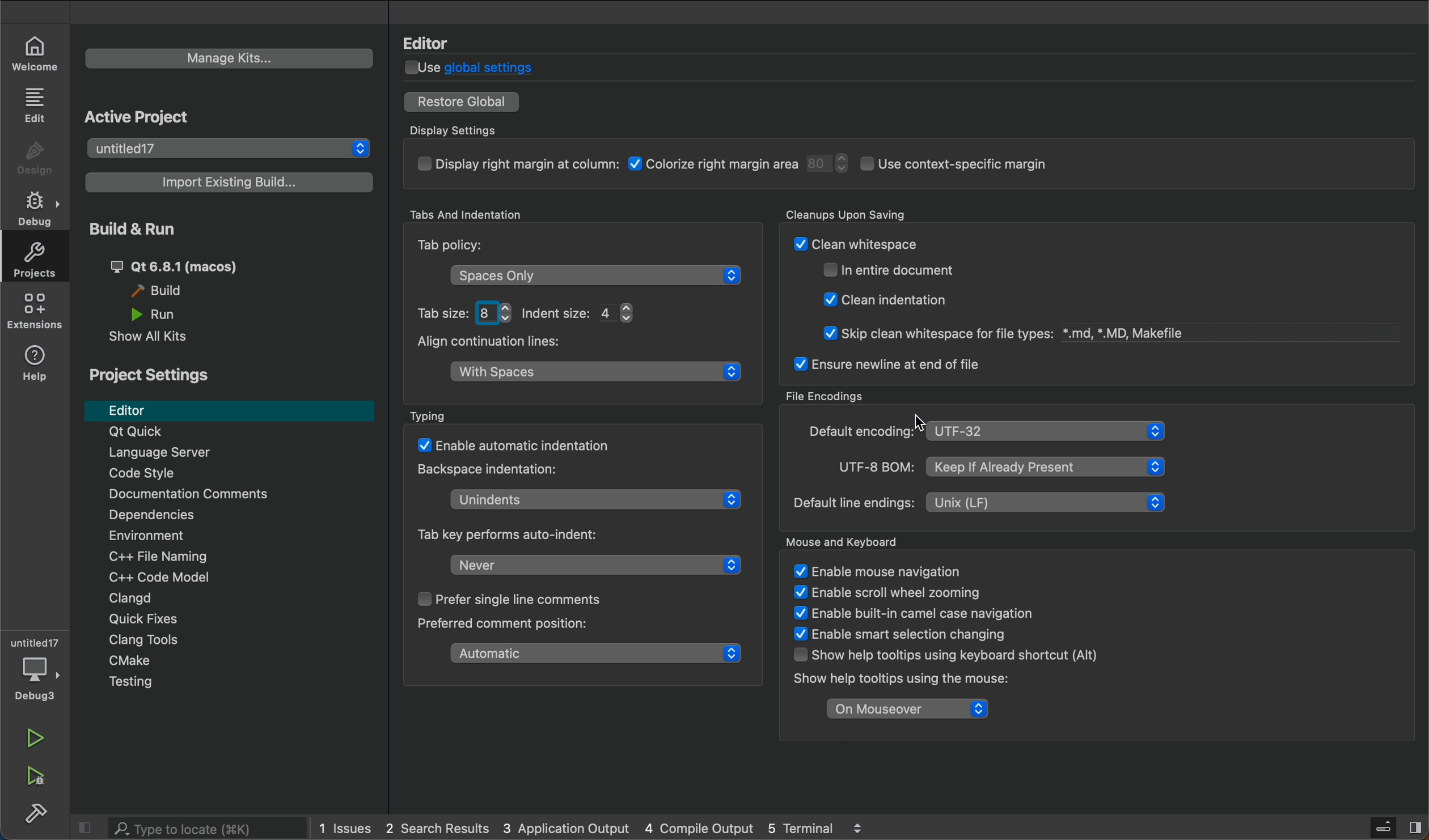  I want to click on run and build, so click(39, 778).